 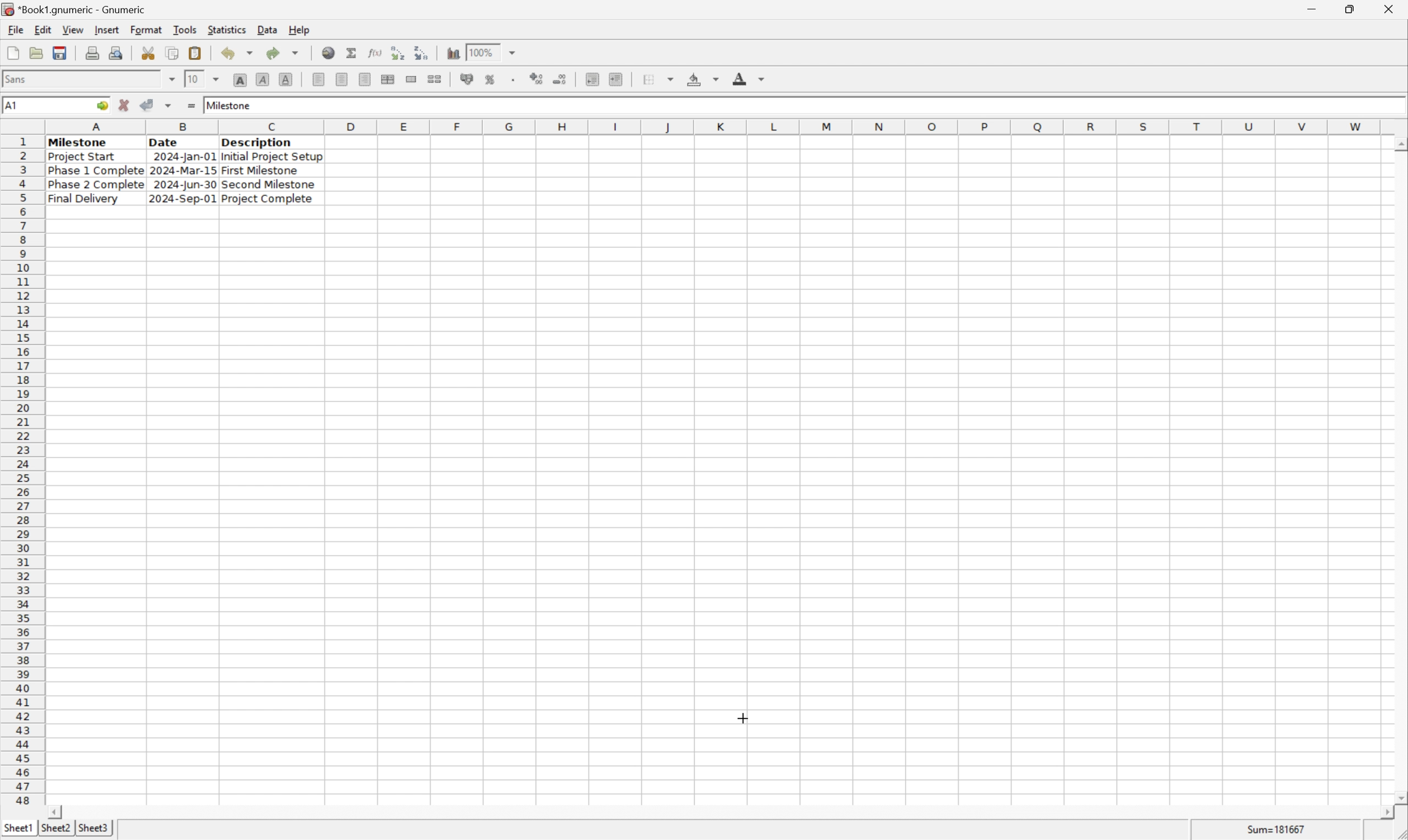 What do you see at coordinates (741, 717) in the screenshot?
I see `cursor` at bounding box center [741, 717].